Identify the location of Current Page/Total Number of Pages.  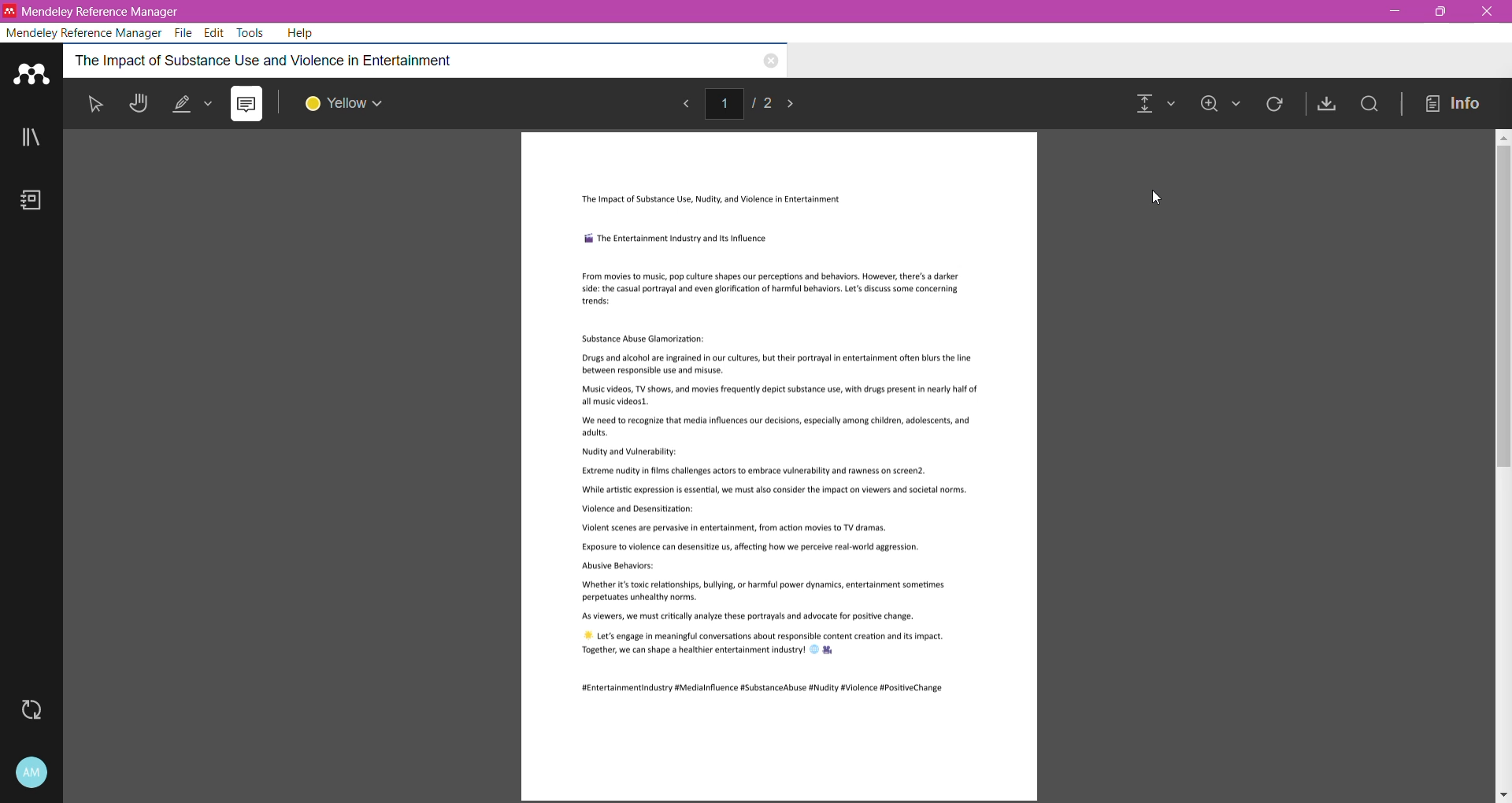
(743, 102).